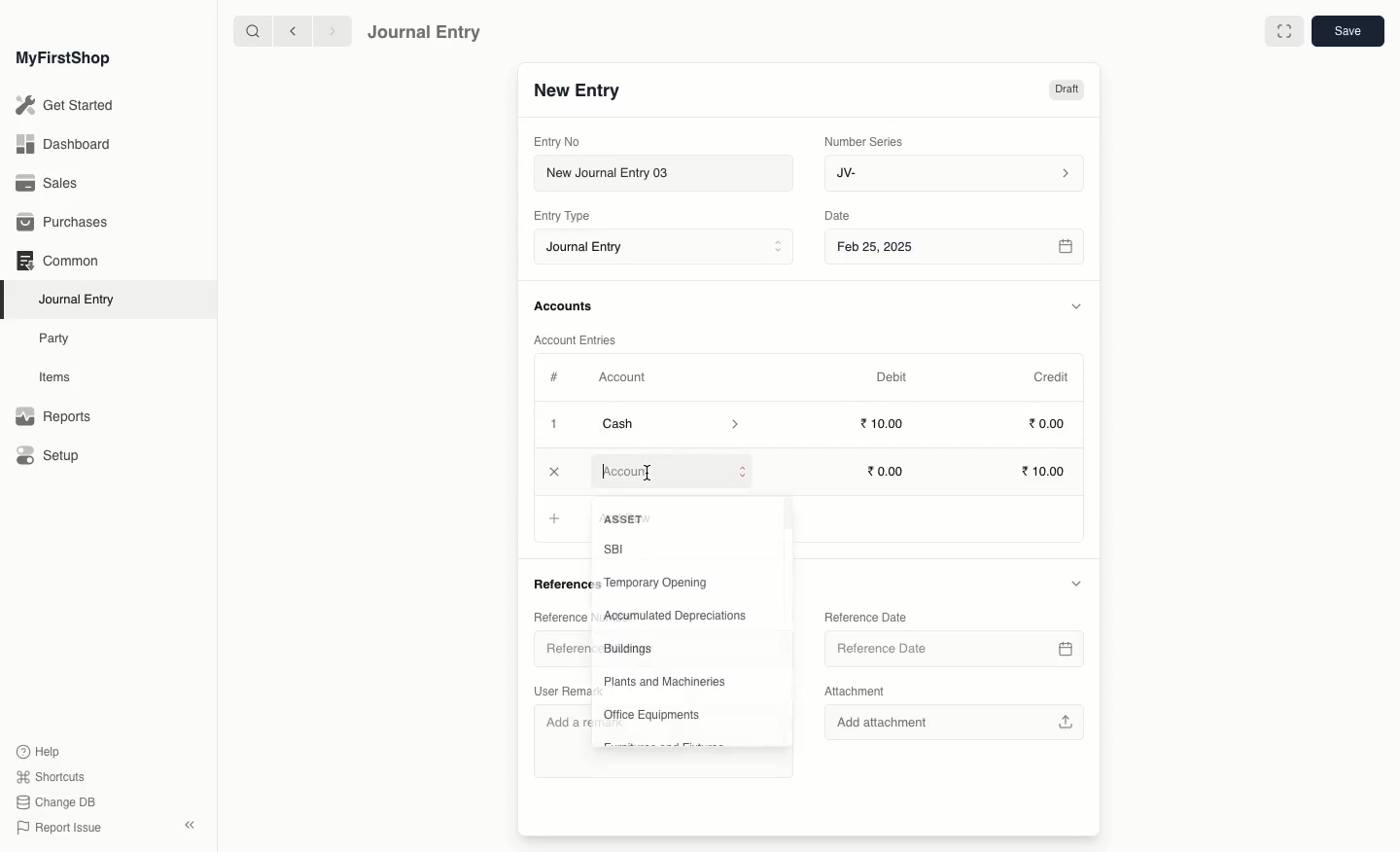  Describe the element at coordinates (1050, 375) in the screenshot. I see `Credit` at that location.